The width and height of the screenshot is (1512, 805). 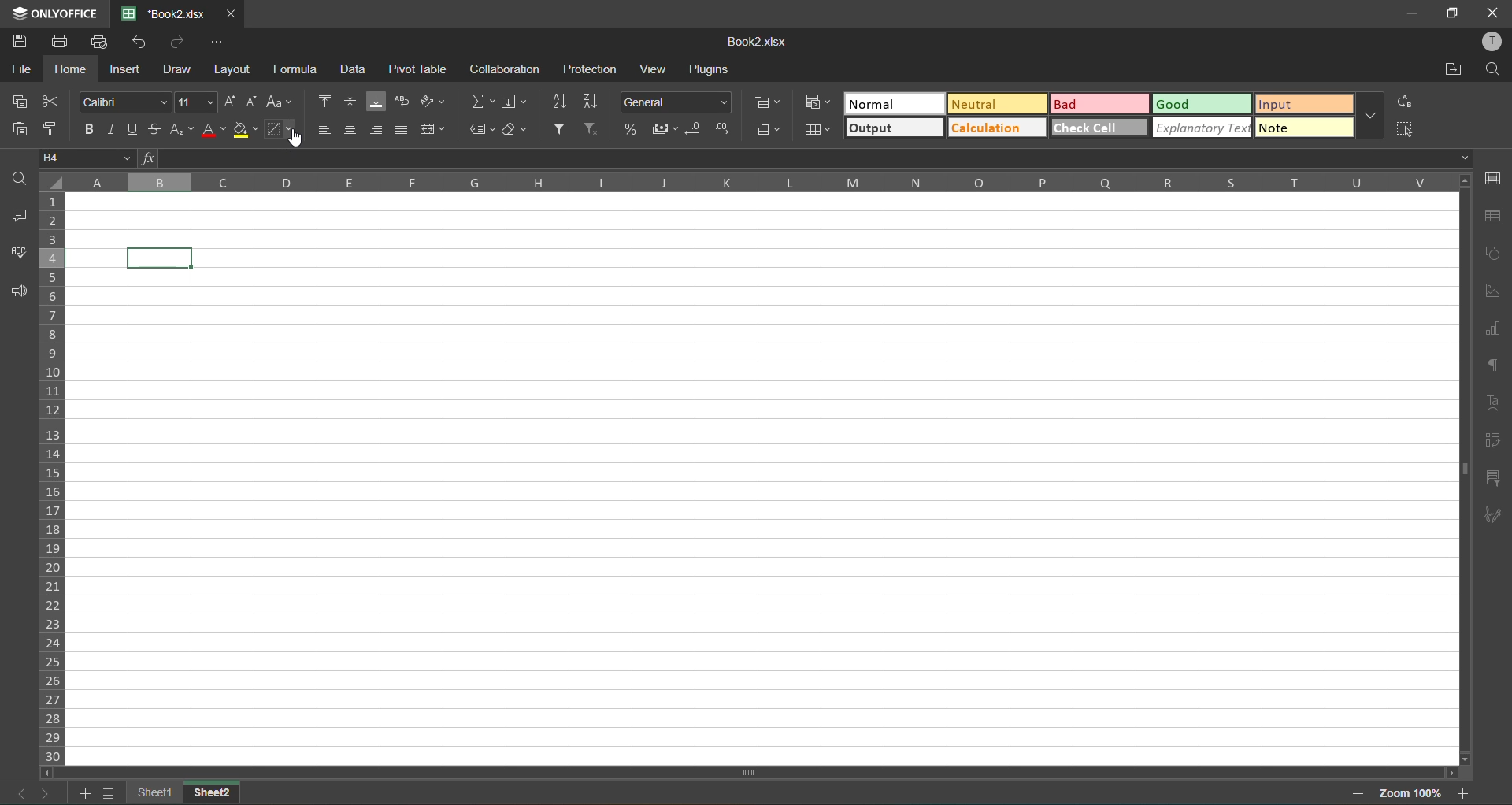 What do you see at coordinates (61, 43) in the screenshot?
I see `print` at bounding box center [61, 43].